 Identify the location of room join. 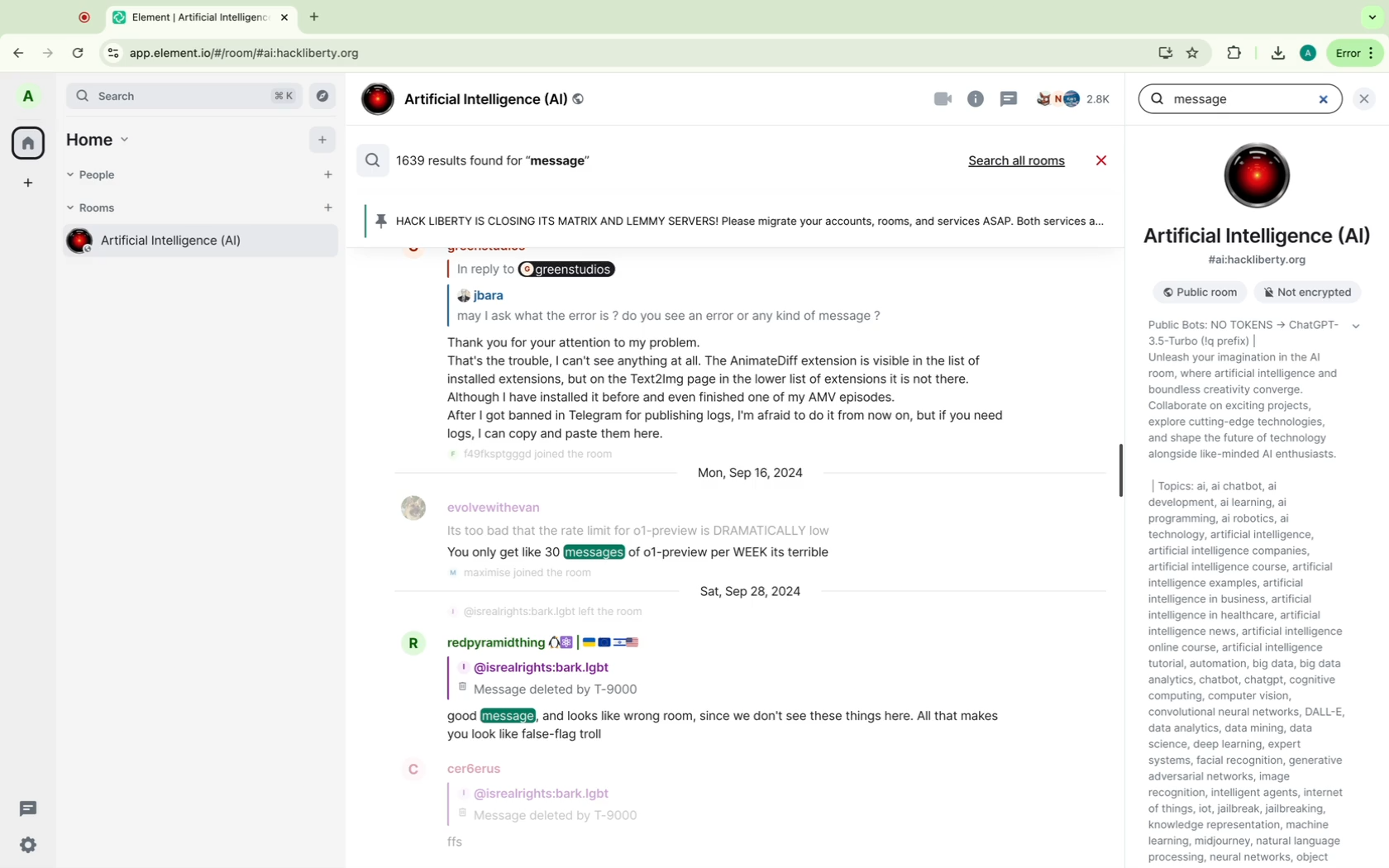
(548, 613).